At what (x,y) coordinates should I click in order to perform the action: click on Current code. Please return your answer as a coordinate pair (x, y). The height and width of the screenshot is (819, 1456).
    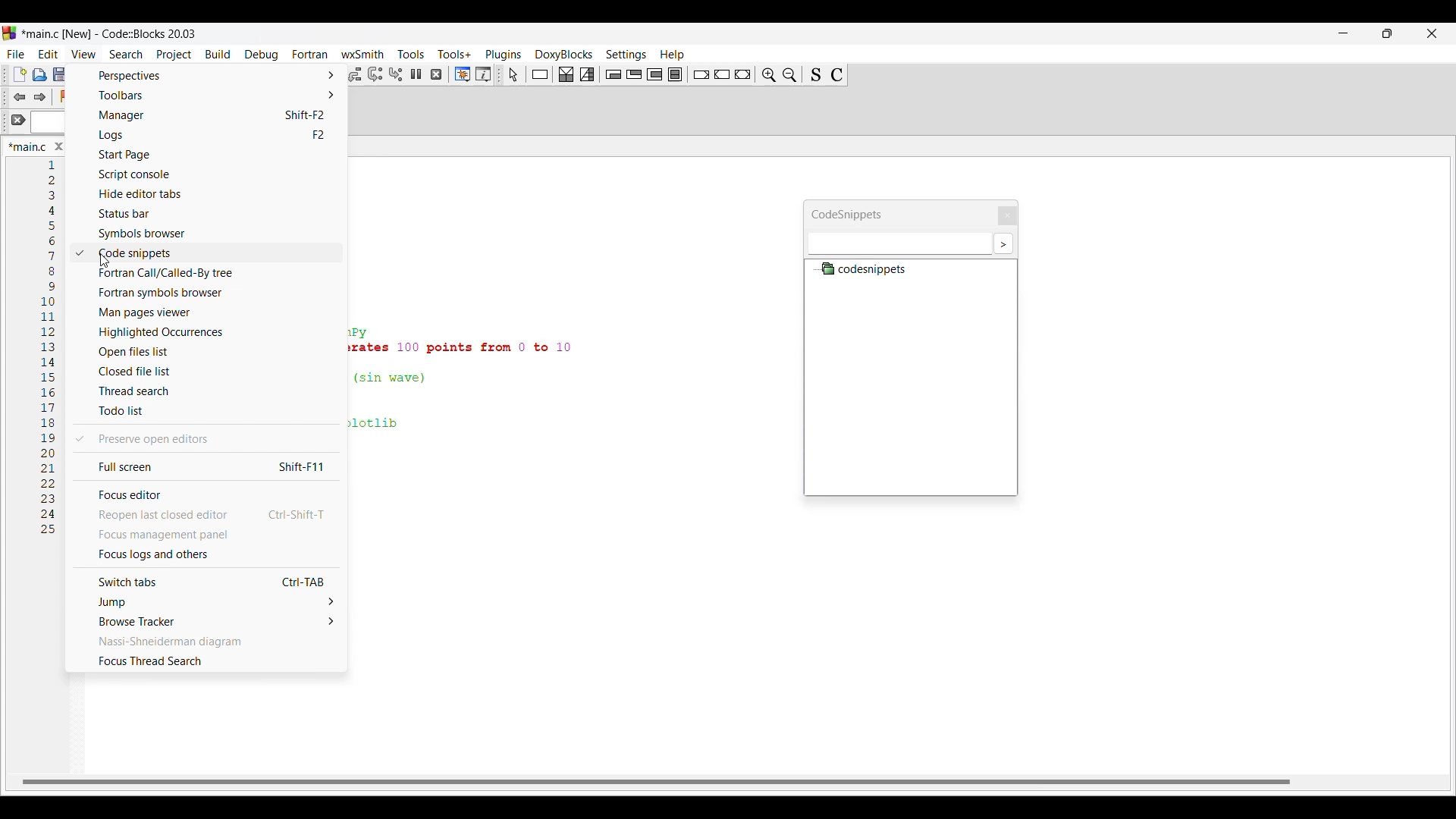
    Looking at the image, I should click on (507, 349).